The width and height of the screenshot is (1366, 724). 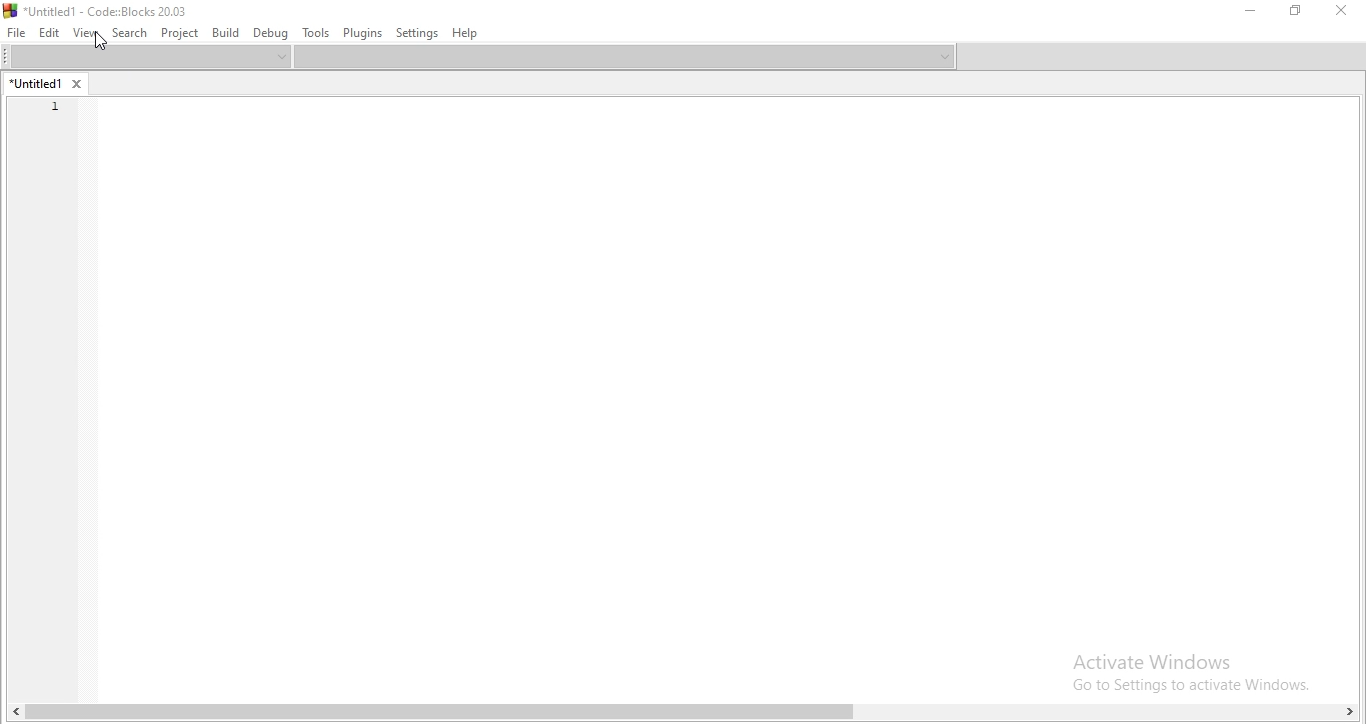 What do you see at coordinates (131, 33) in the screenshot?
I see `Search ` at bounding box center [131, 33].